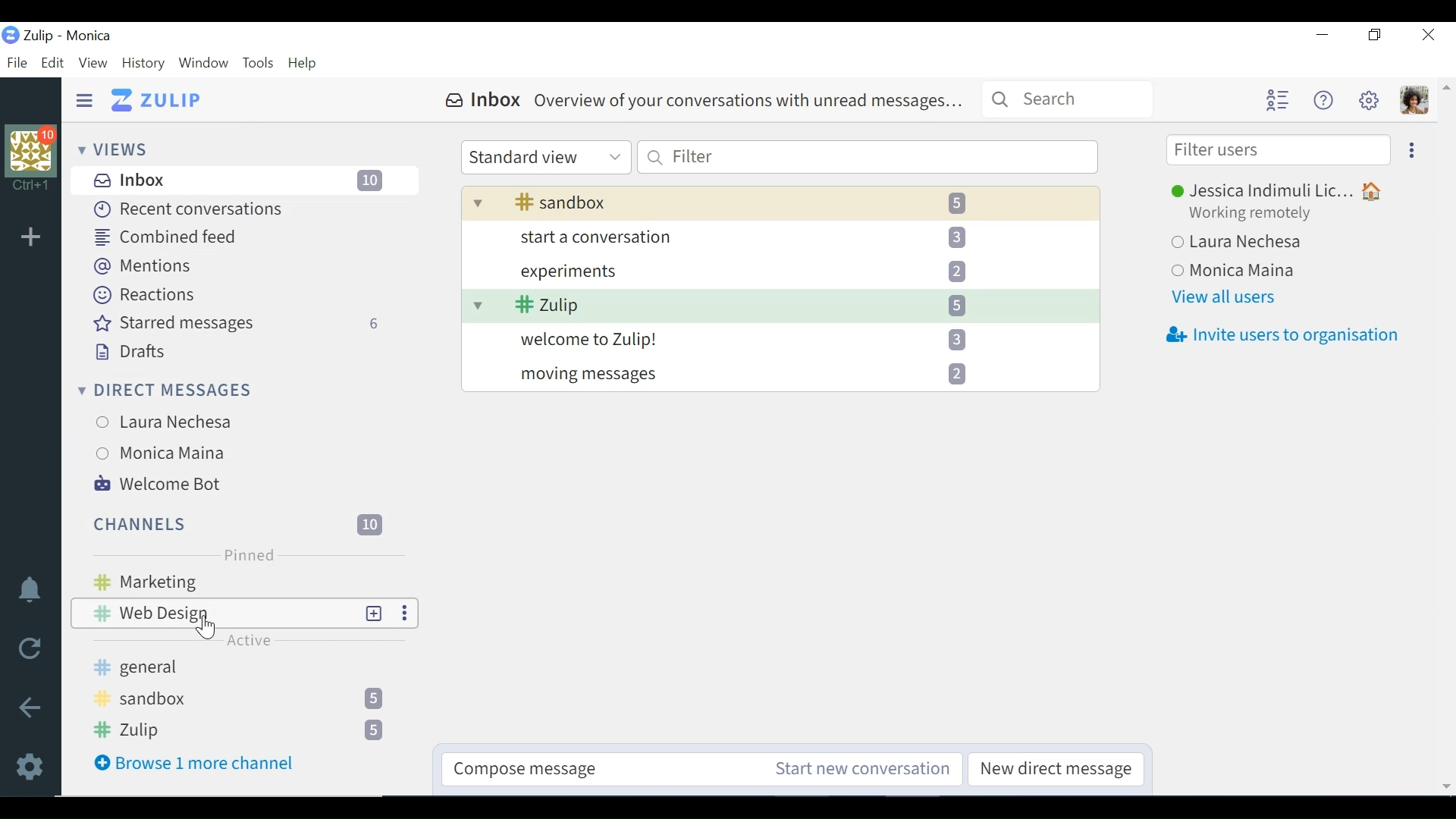 The image size is (1456, 819). I want to click on Window, so click(202, 63).